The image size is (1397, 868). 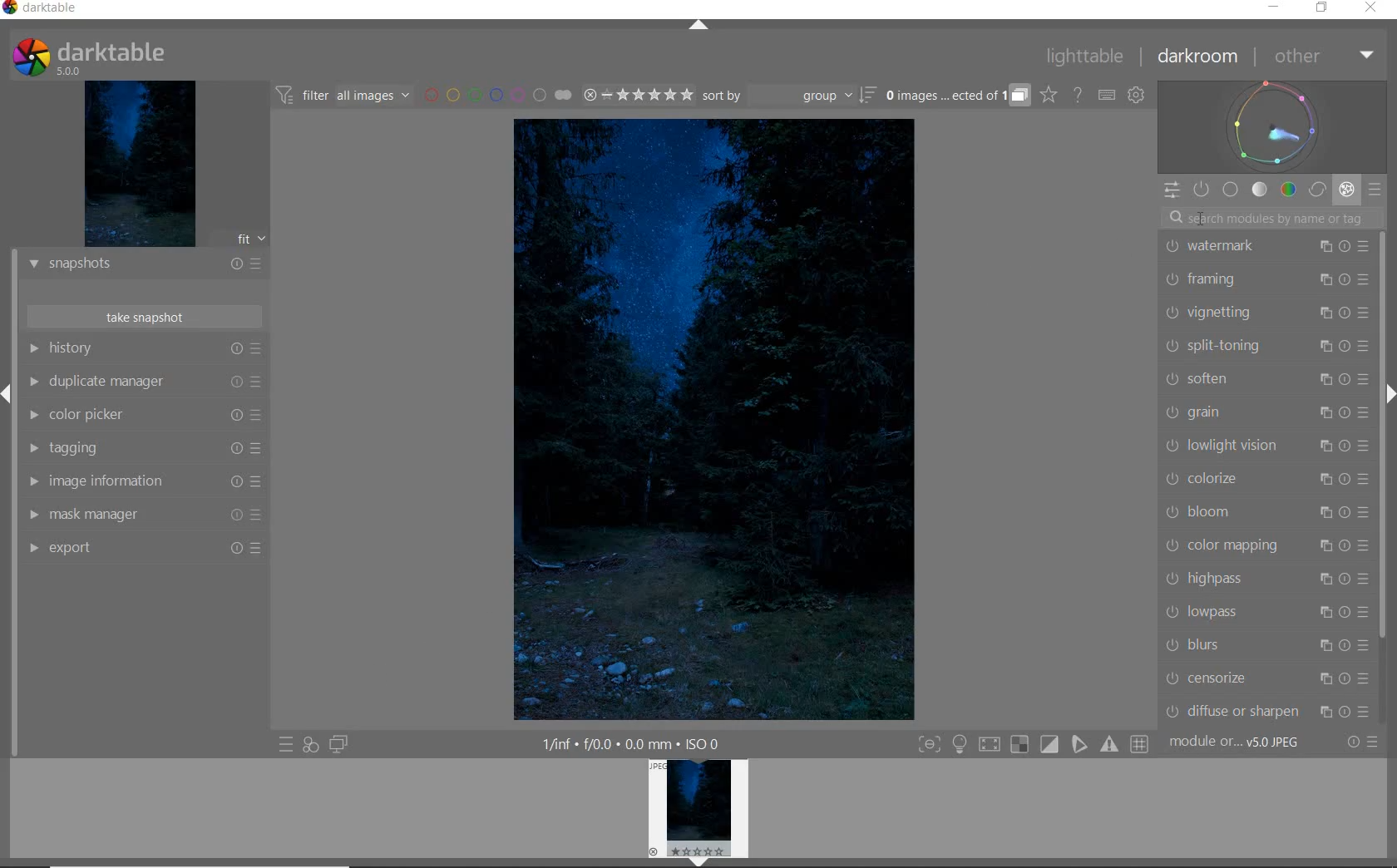 I want to click on IMAGE PREVIEW, so click(x=698, y=812).